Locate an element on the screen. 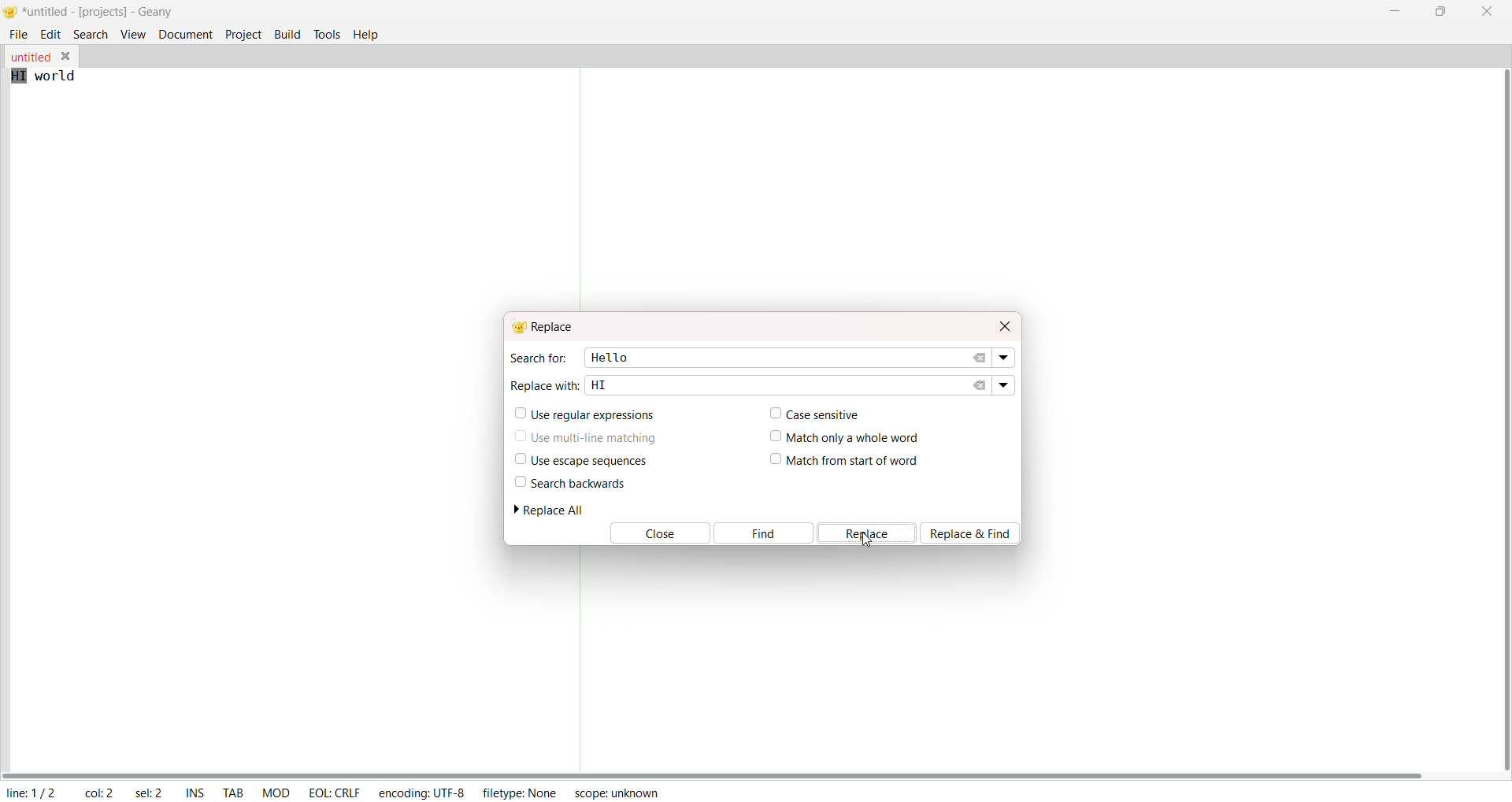 This screenshot has width=1512, height=802. use regular expressions is located at coordinates (586, 415).